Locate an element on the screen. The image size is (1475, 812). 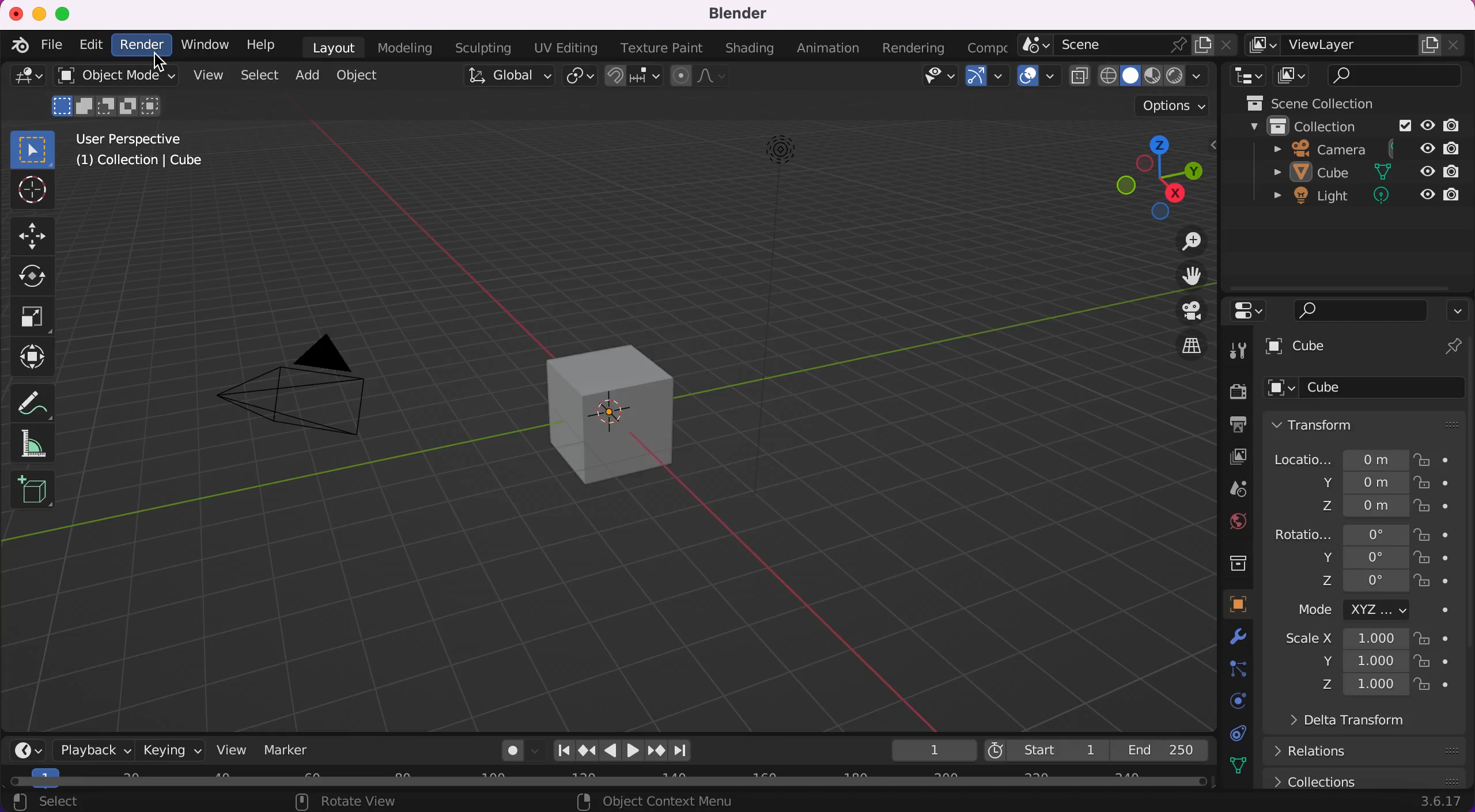
z 1.000 is located at coordinates (1362, 685).